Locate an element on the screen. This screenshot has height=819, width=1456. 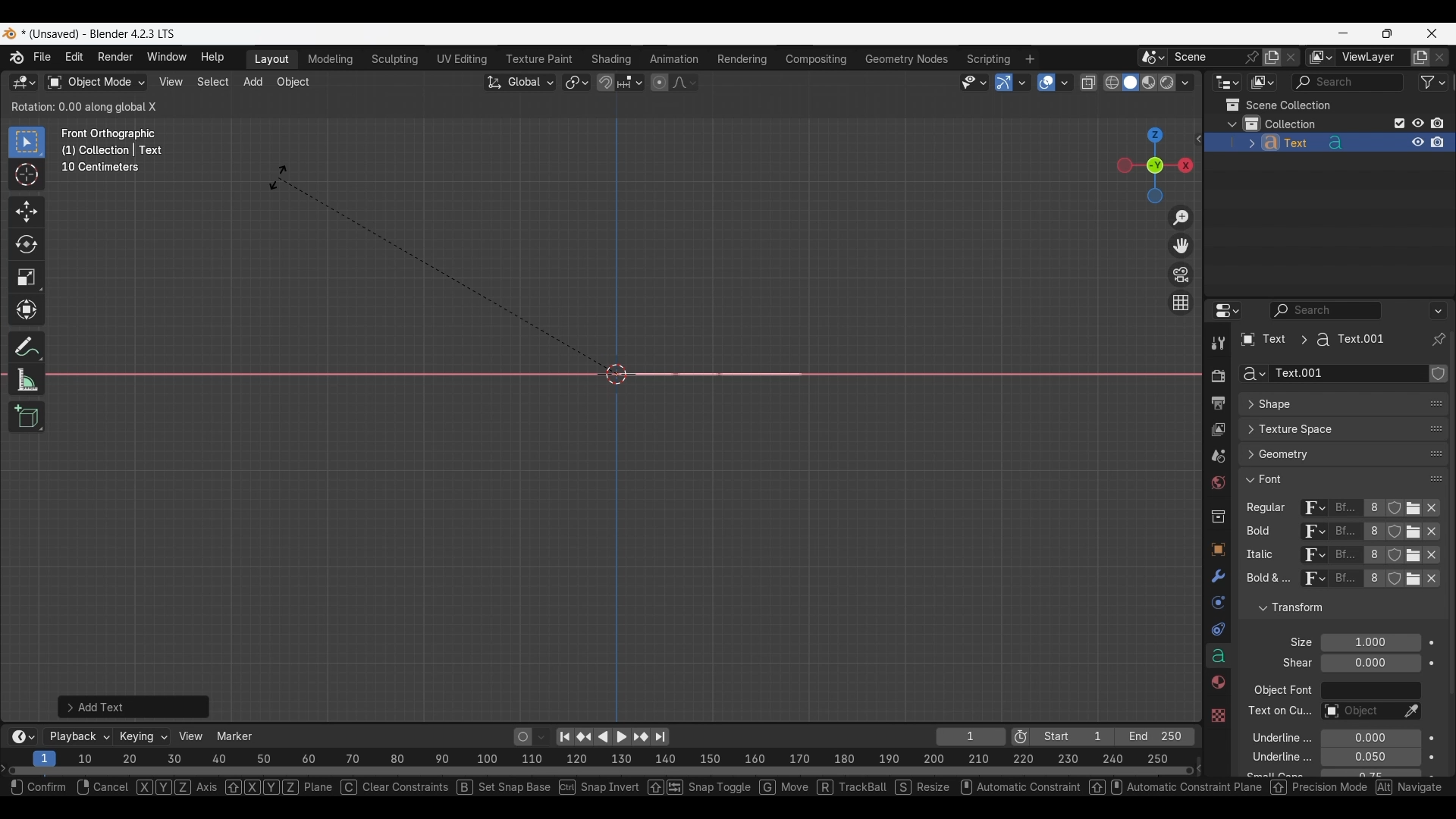
Click to collapse Transform is located at coordinates (1330, 608).